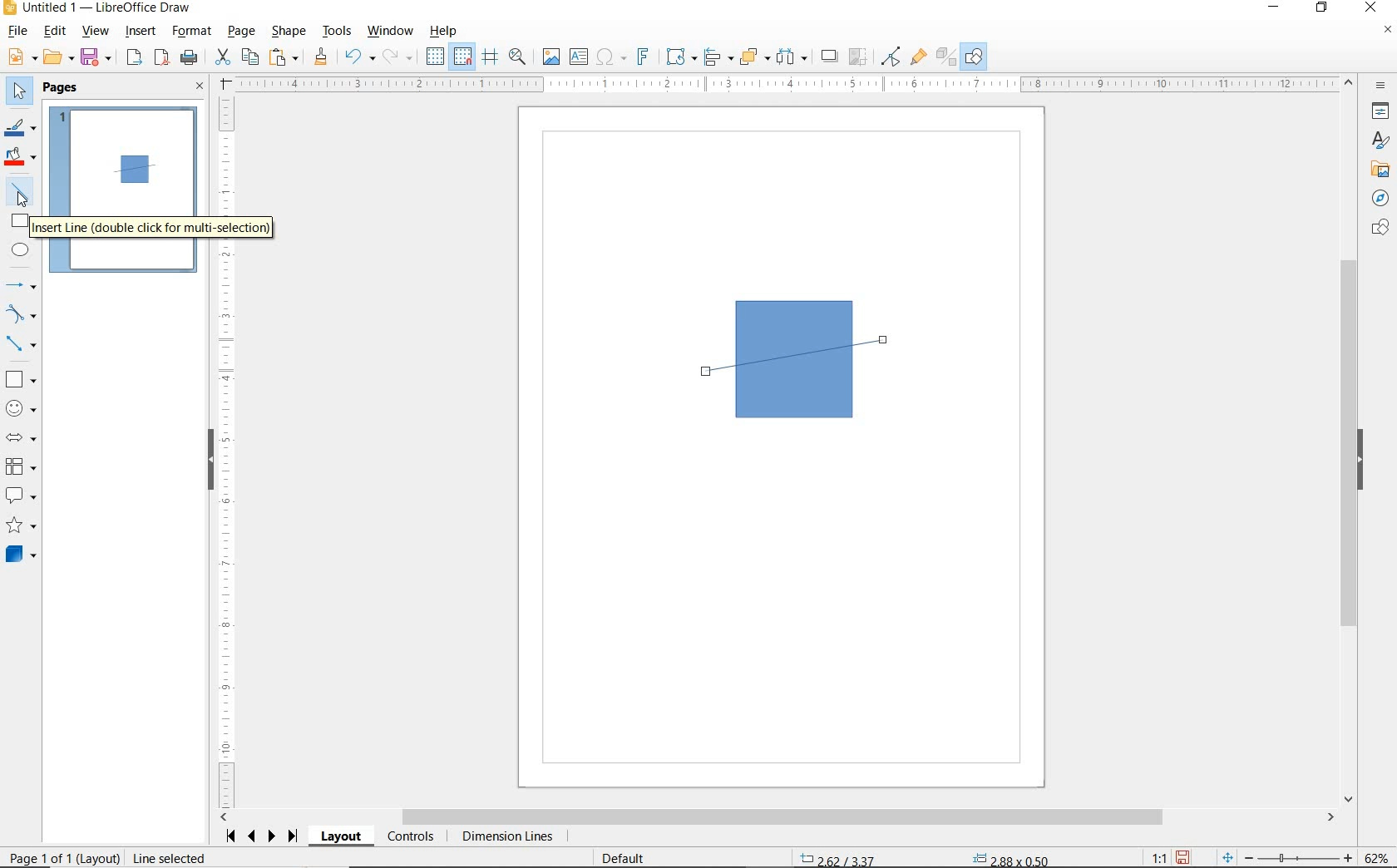 The height and width of the screenshot is (868, 1397). Describe the element at coordinates (360, 58) in the screenshot. I see `UNDO` at that location.